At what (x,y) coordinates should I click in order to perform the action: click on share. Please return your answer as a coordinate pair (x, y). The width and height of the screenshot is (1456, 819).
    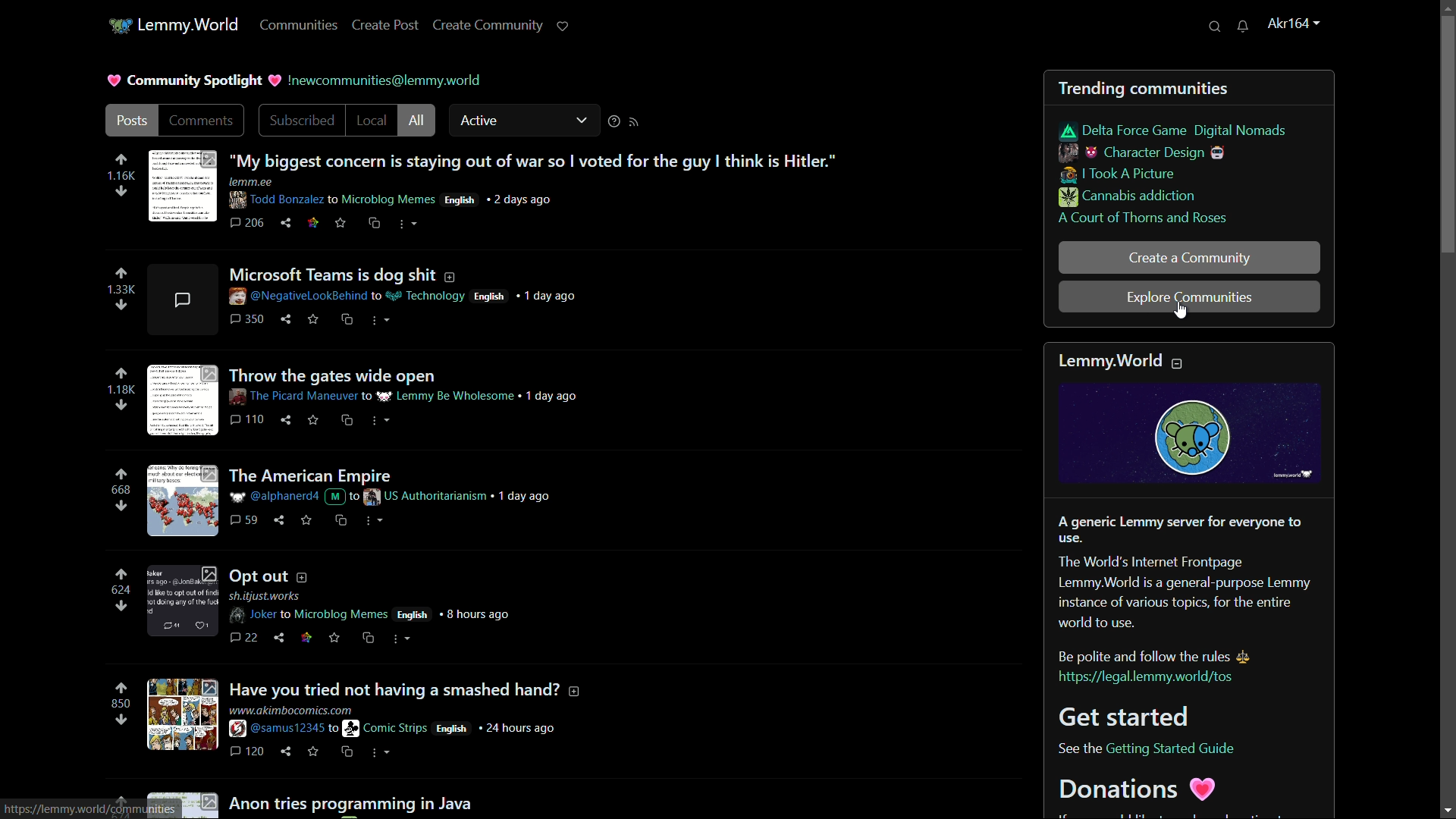
    Looking at the image, I should click on (288, 224).